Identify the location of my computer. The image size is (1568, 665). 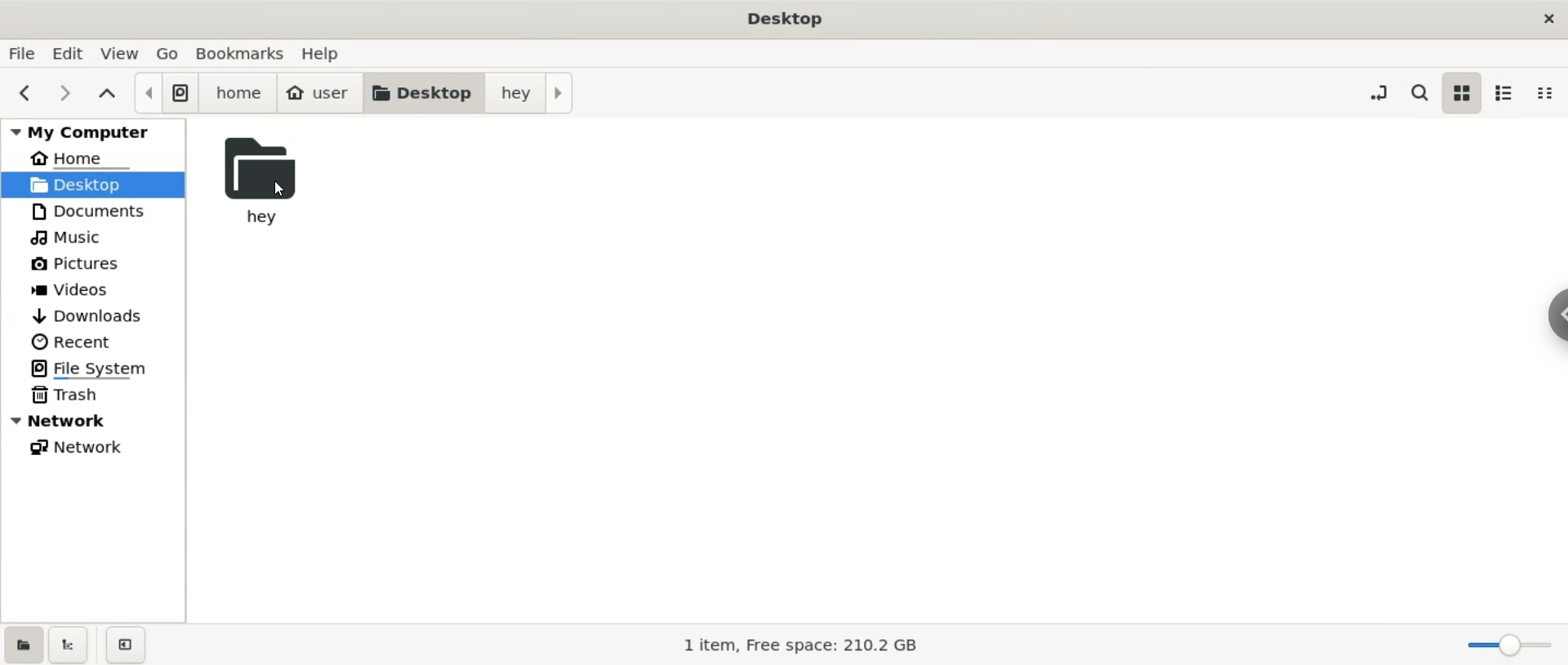
(93, 129).